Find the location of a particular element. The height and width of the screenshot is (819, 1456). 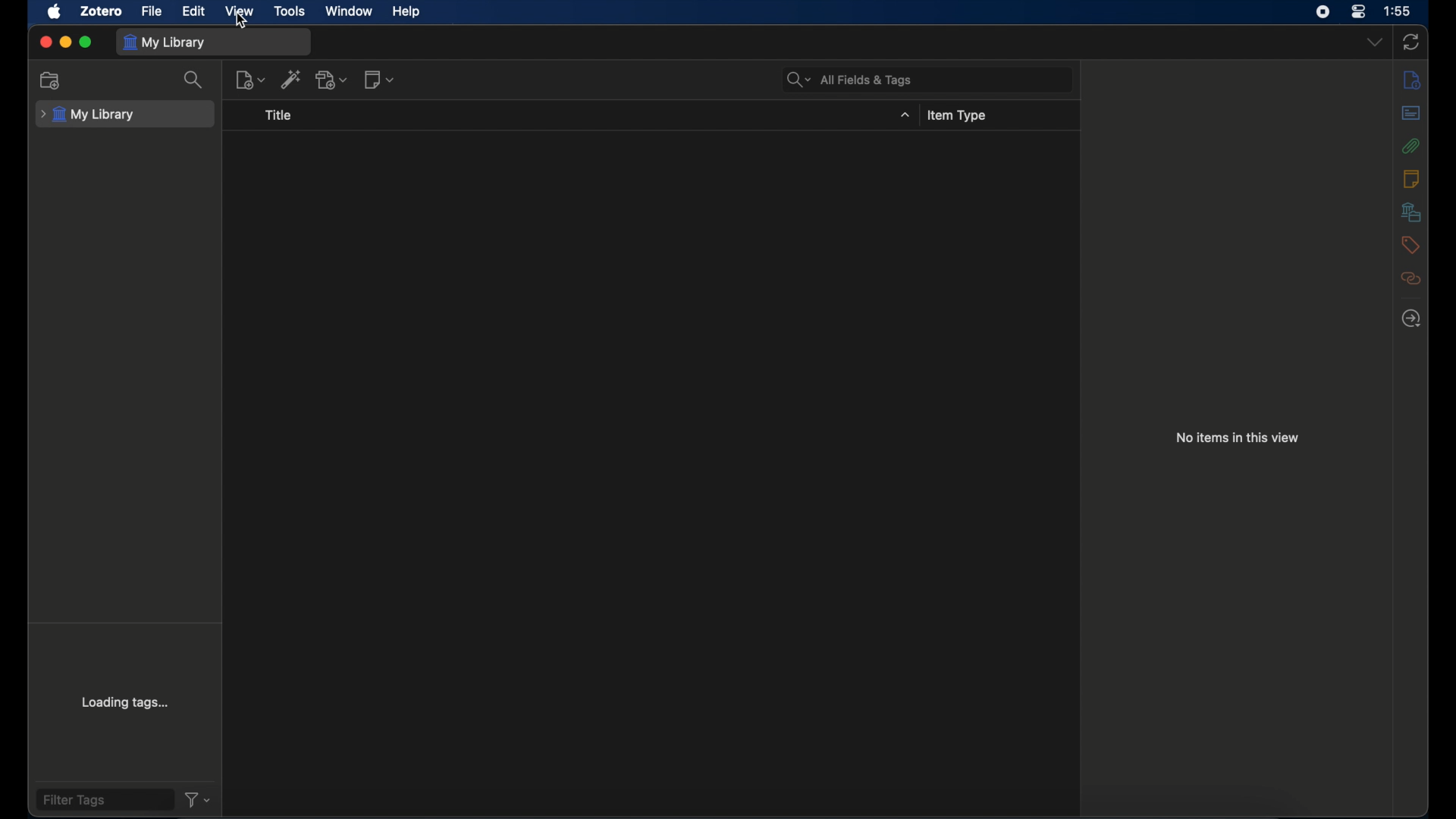

help is located at coordinates (406, 12).